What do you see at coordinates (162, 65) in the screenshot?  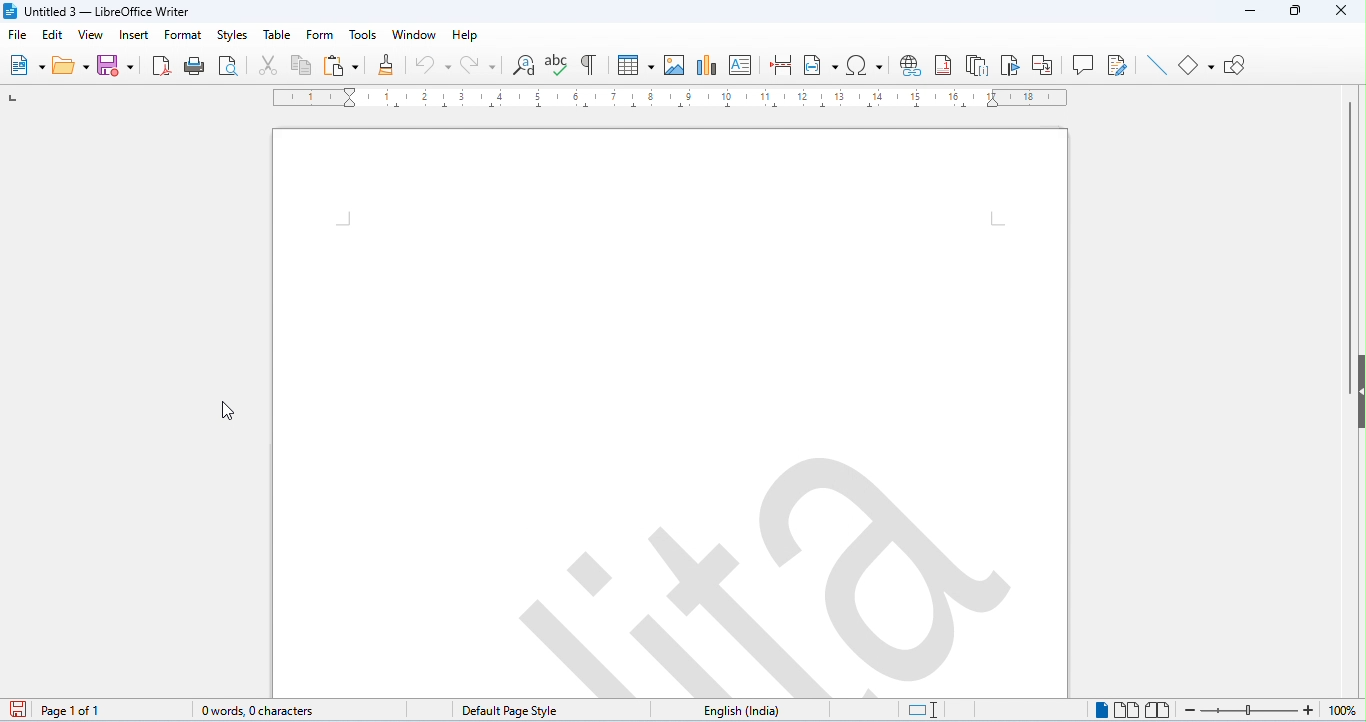 I see `export as pdf` at bounding box center [162, 65].